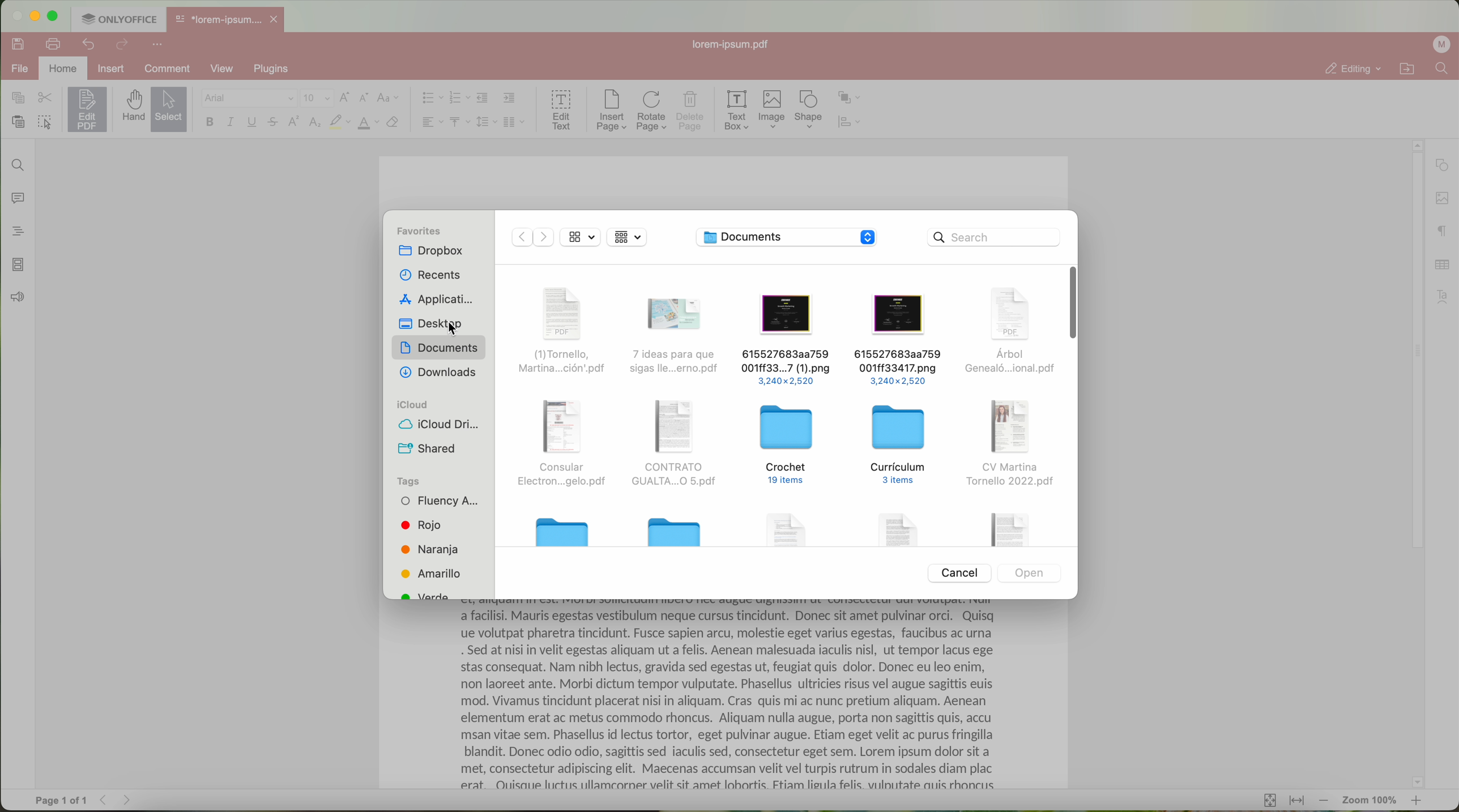 Image resolution: width=1459 pixels, height=812 pixels. I want to click on Cancel, so click(956, 572).